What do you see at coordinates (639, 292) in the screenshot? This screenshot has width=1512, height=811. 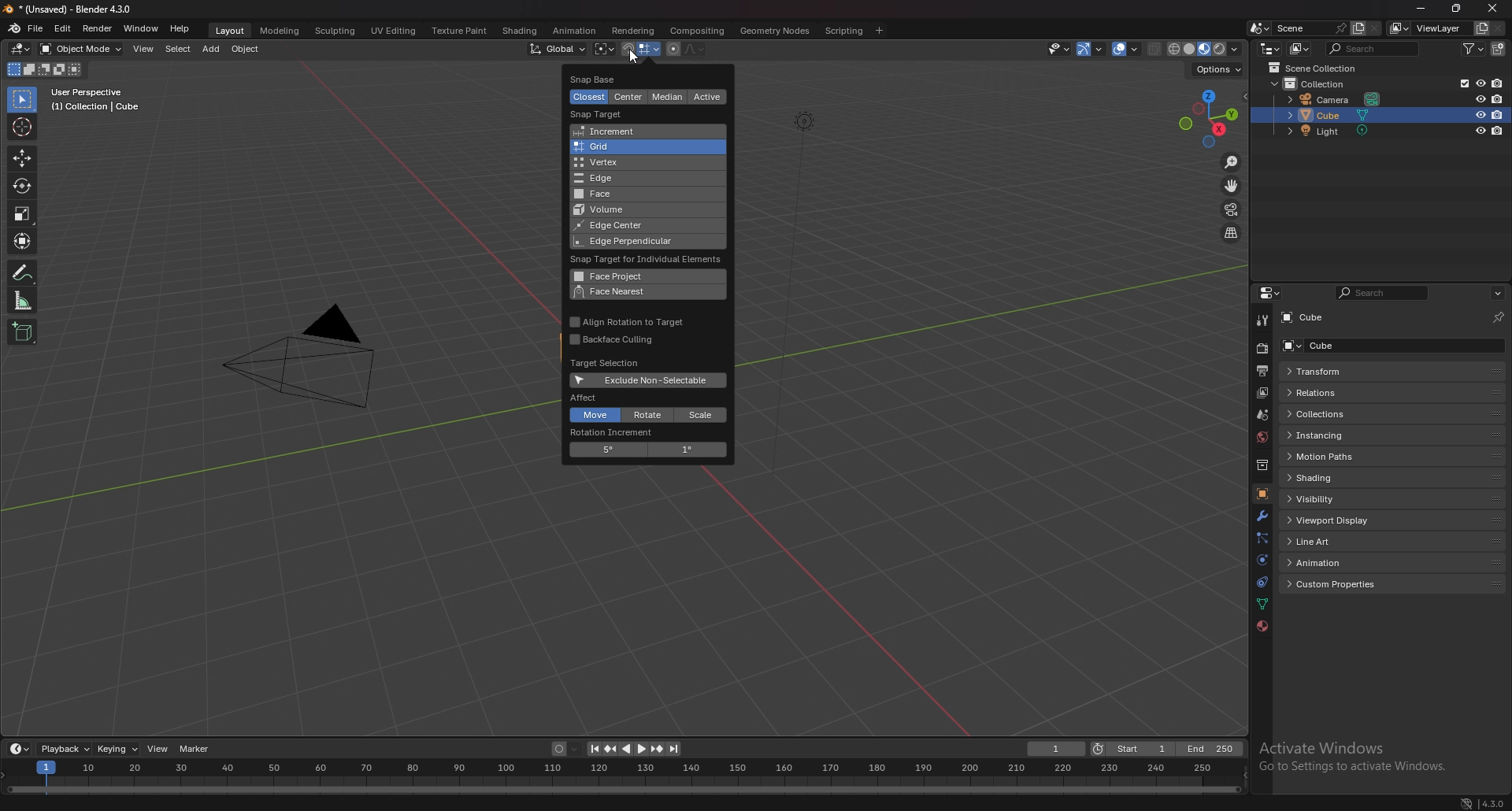 I see `face nearest` at bounding box center [639, 292].